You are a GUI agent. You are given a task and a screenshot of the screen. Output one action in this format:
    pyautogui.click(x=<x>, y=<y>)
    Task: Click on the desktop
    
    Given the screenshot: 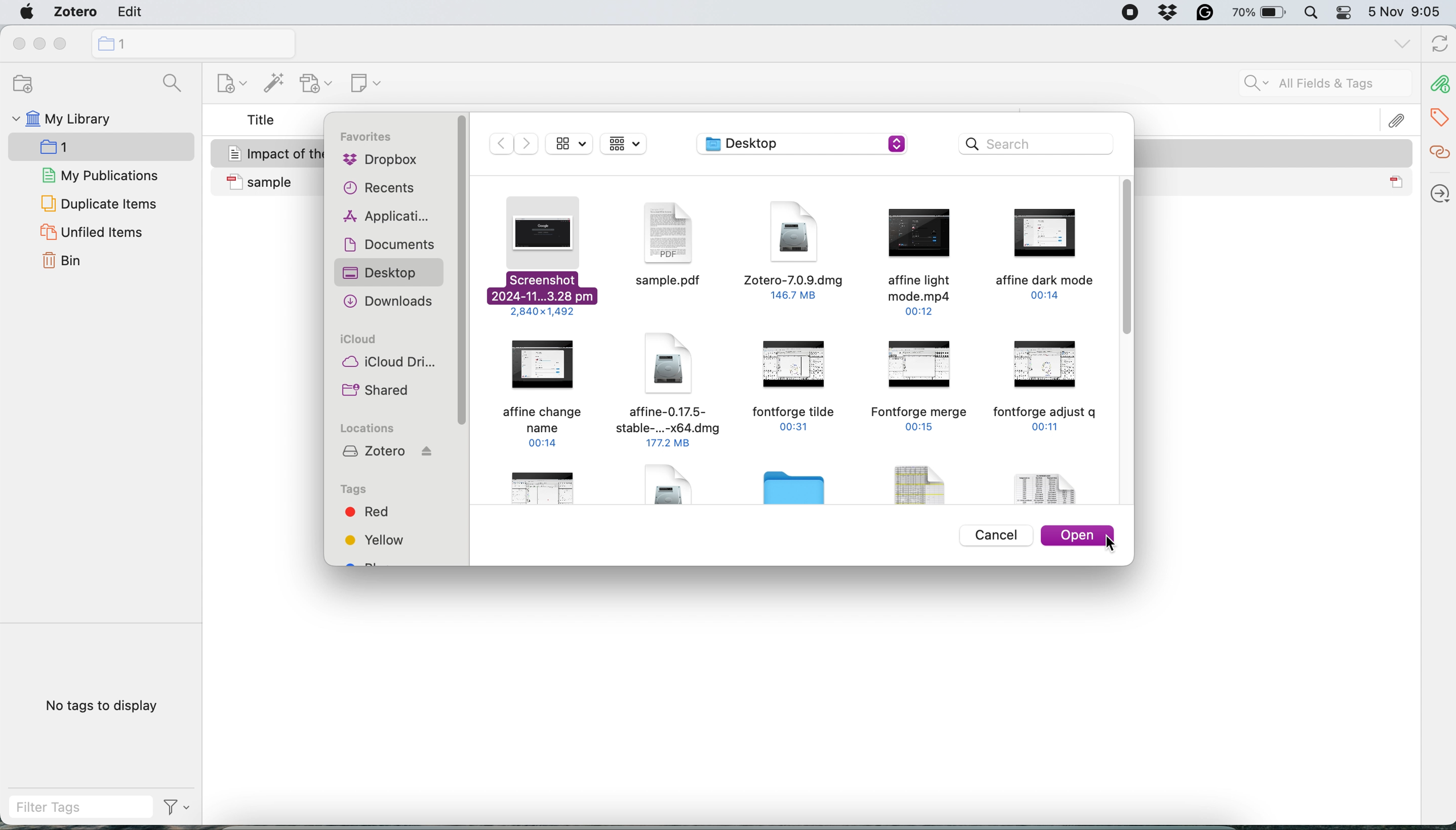 What is the action you would take?
    pyautogui.click(x=390, y=270)
    